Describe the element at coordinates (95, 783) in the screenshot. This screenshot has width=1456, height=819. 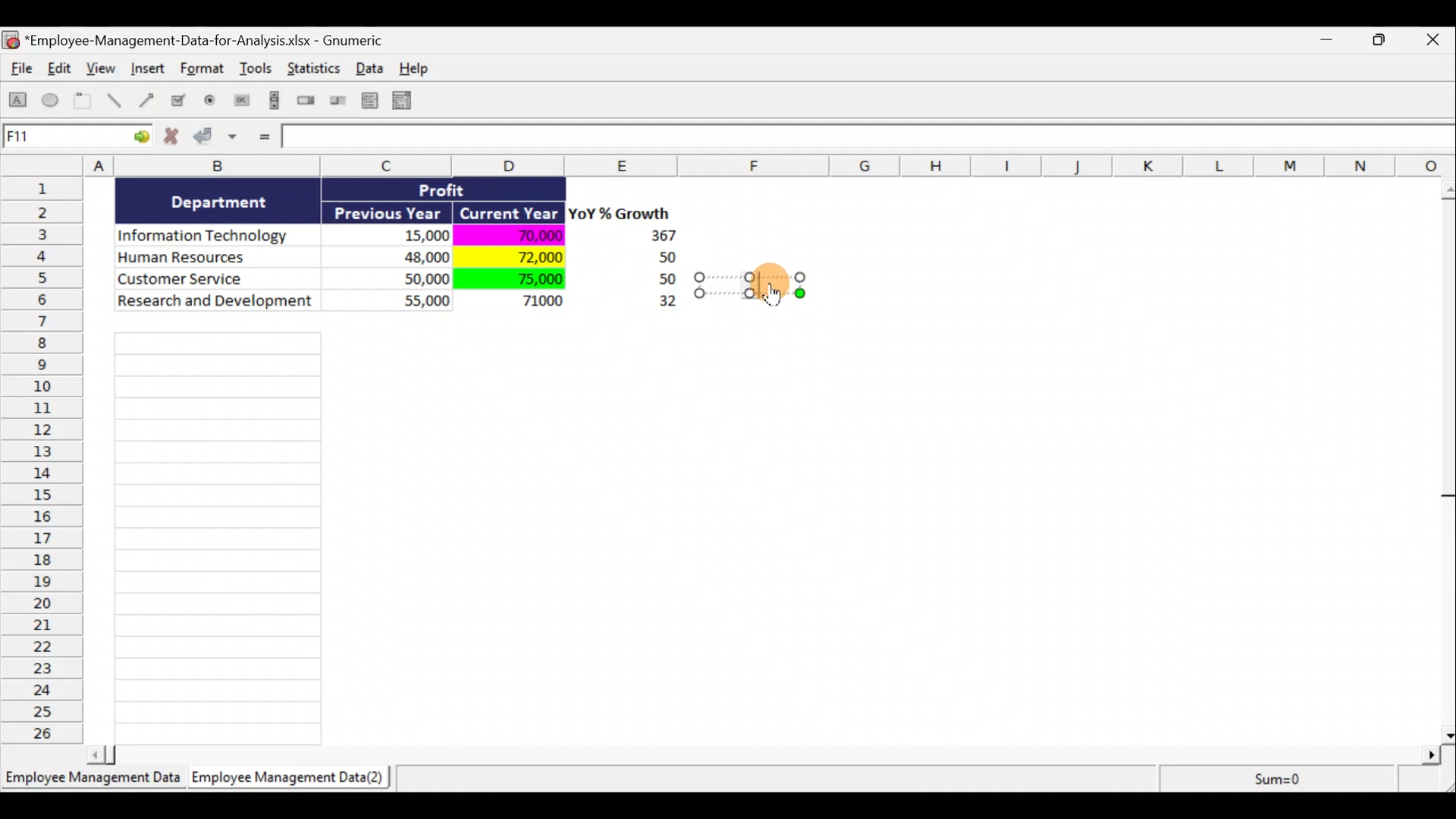
I see `Sheet 1` at that location.